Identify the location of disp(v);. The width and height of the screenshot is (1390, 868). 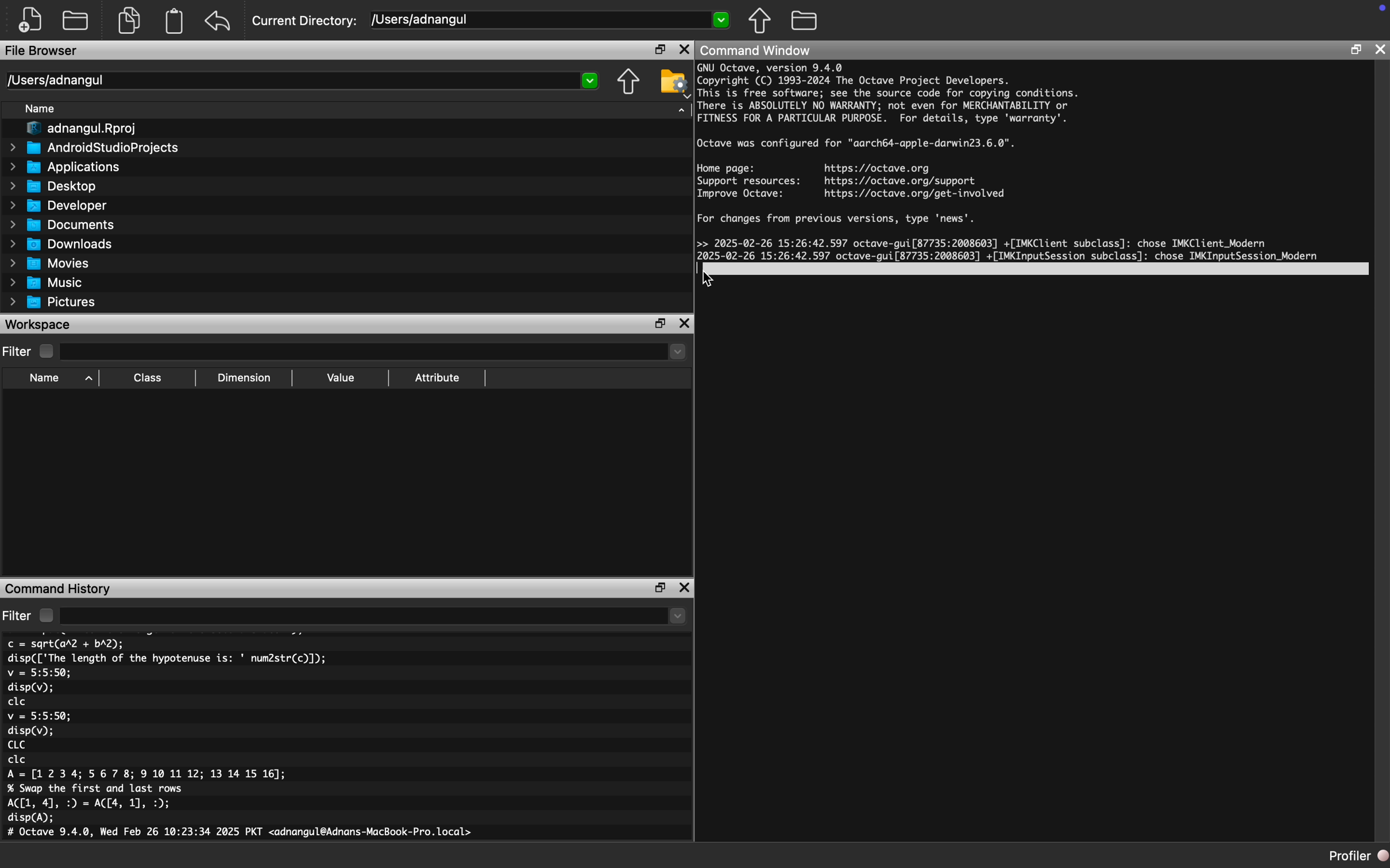
(30, 689).